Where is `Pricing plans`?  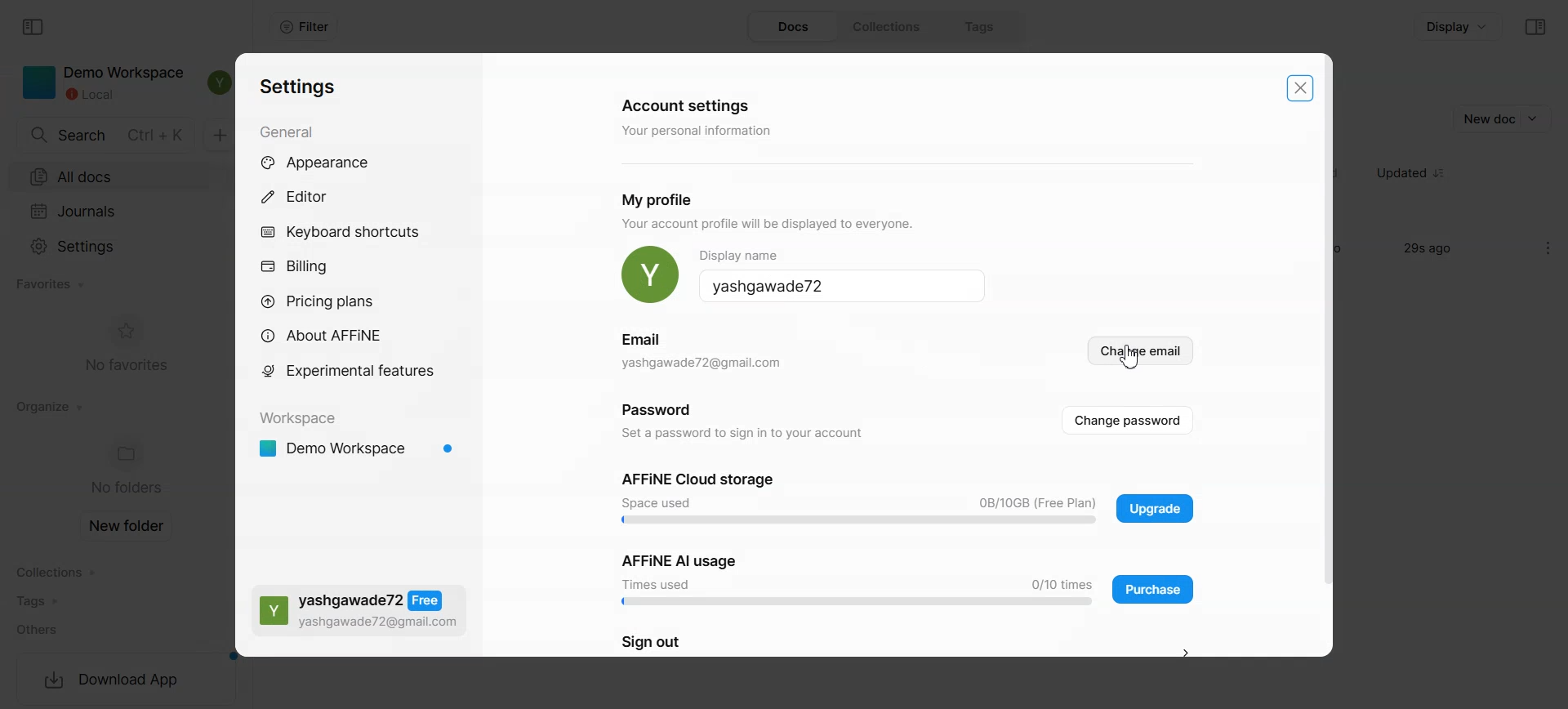
Pricing plans is located at coordinates (361, 301).